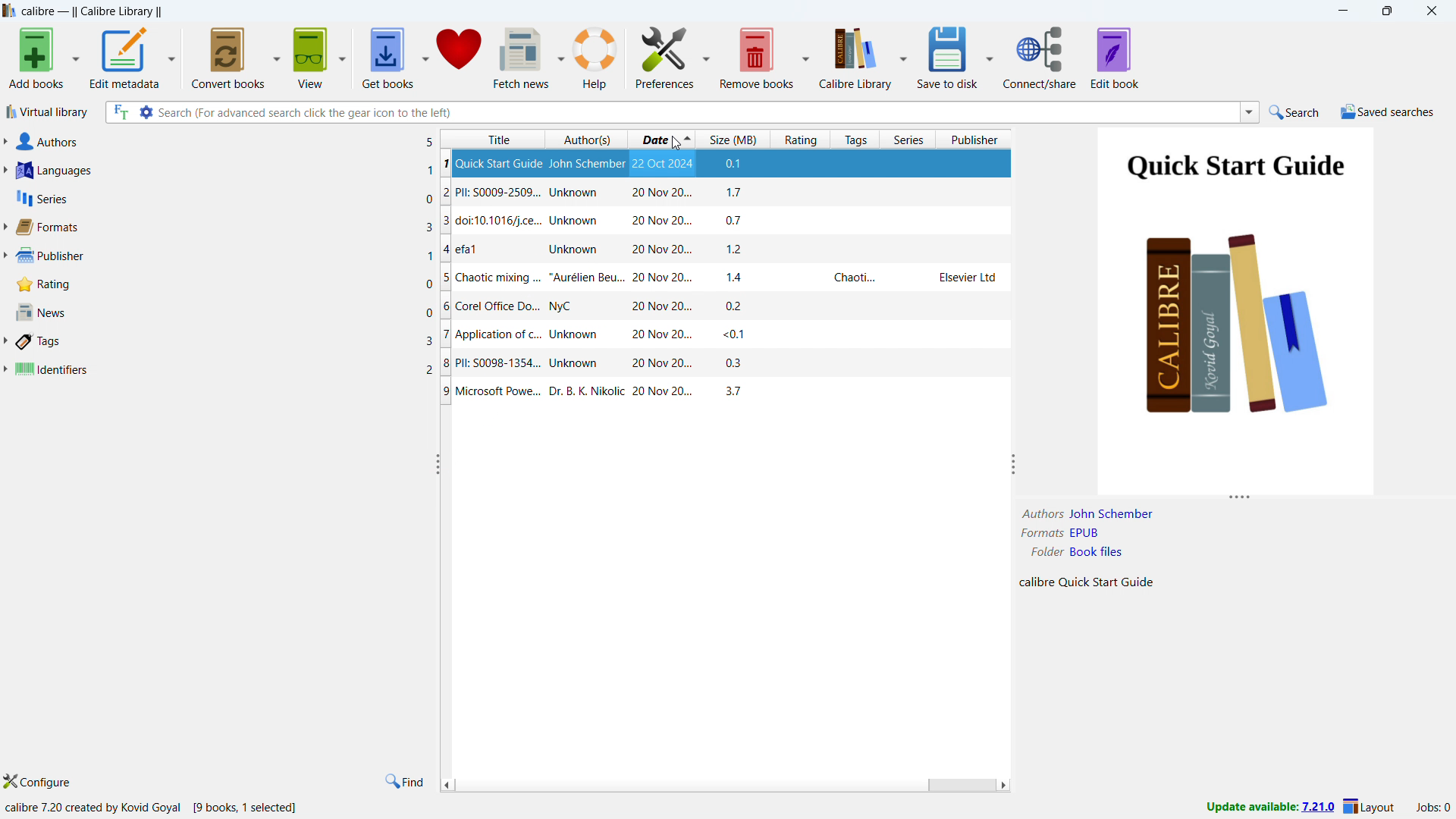 The image size is (1456, 819). Describe the element at coordinates (733, 139) in the screenshot. I see `size` at that location.